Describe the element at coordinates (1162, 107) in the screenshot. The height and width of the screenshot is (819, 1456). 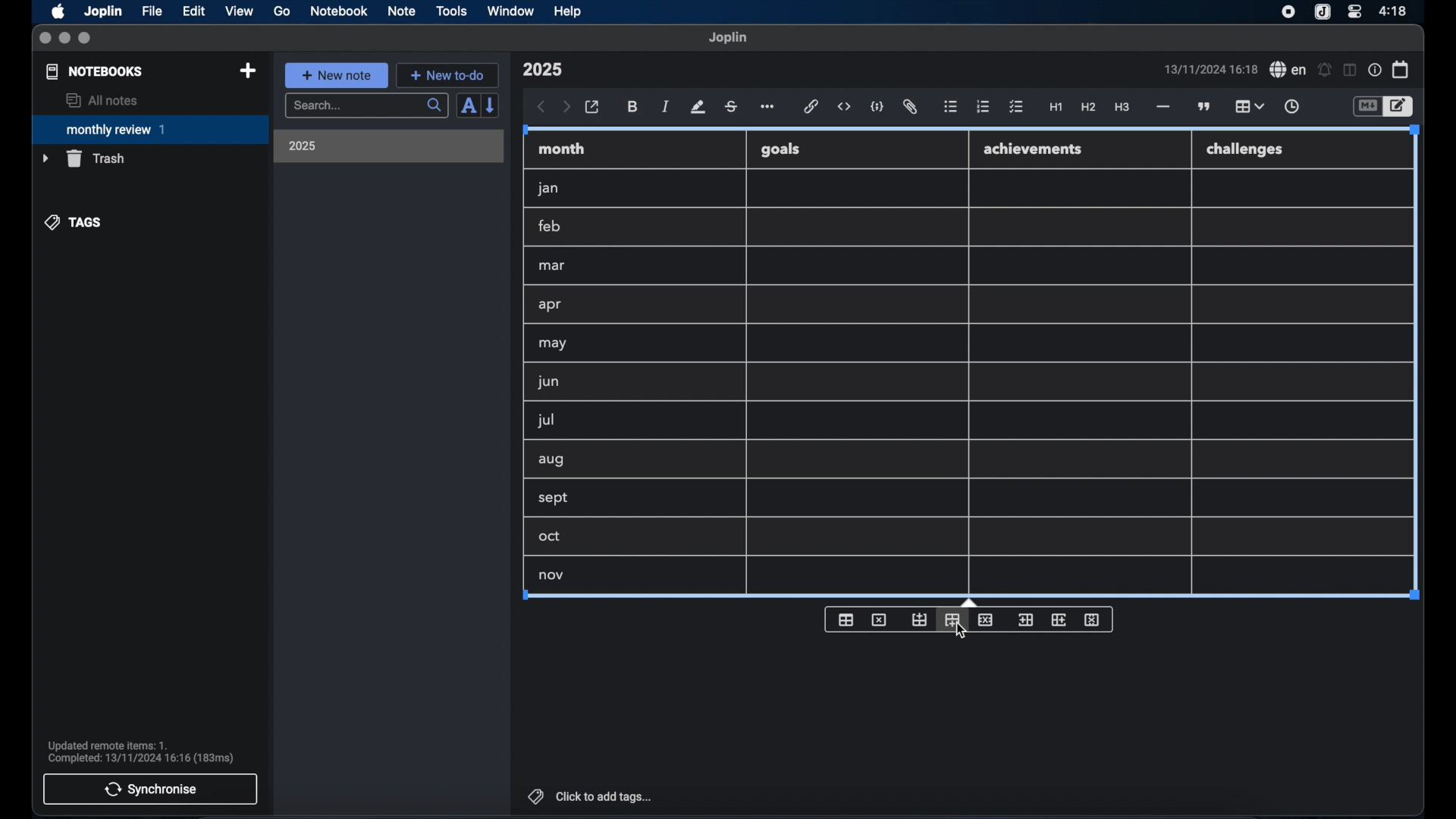
I see `horizontal rule` at that location.